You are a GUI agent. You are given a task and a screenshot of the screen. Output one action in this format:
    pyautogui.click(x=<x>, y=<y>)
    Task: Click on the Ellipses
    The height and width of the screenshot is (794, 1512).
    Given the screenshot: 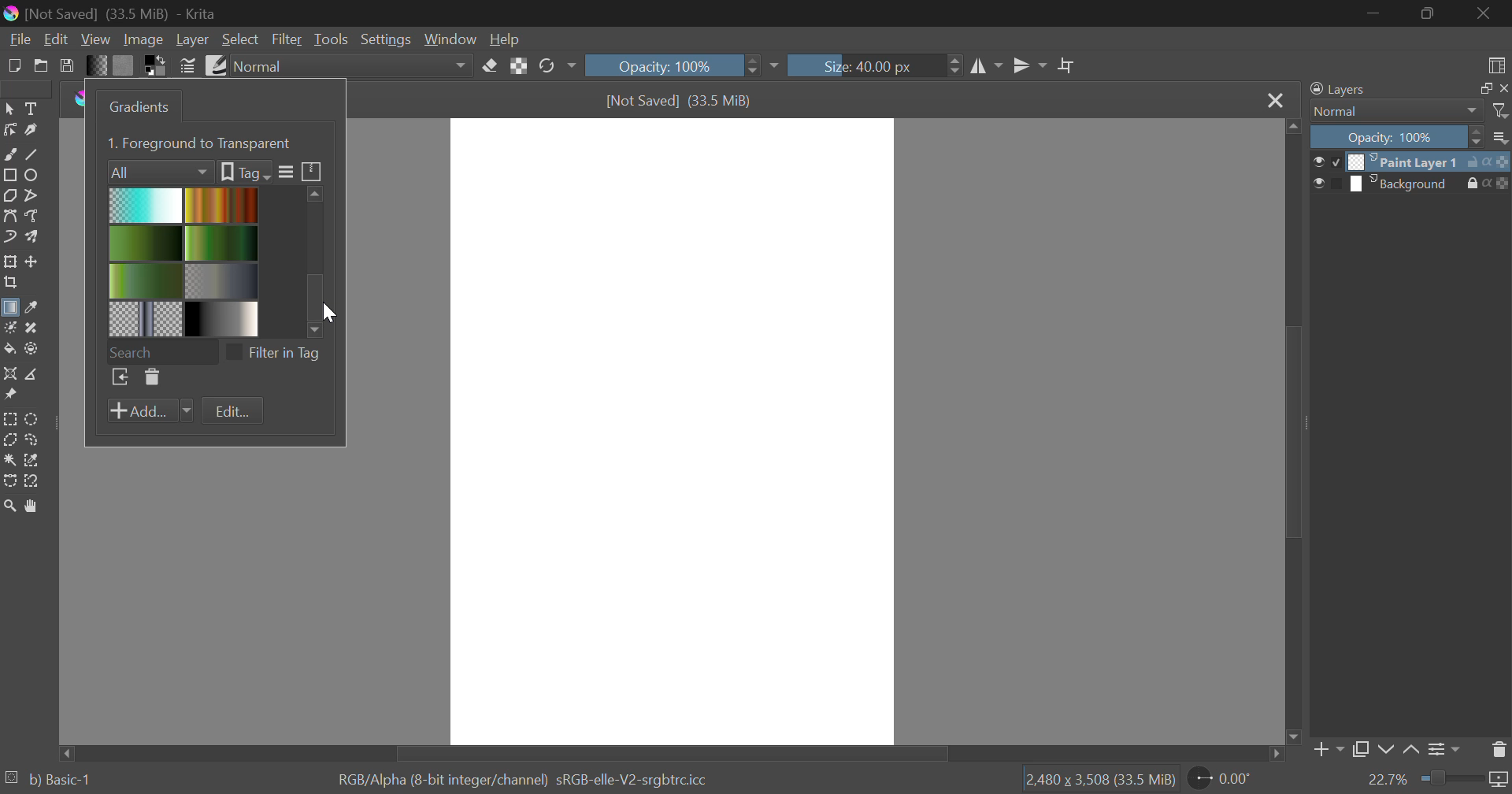 What is the action you would take?
    pyautogui.click(x=32, y=175)
    